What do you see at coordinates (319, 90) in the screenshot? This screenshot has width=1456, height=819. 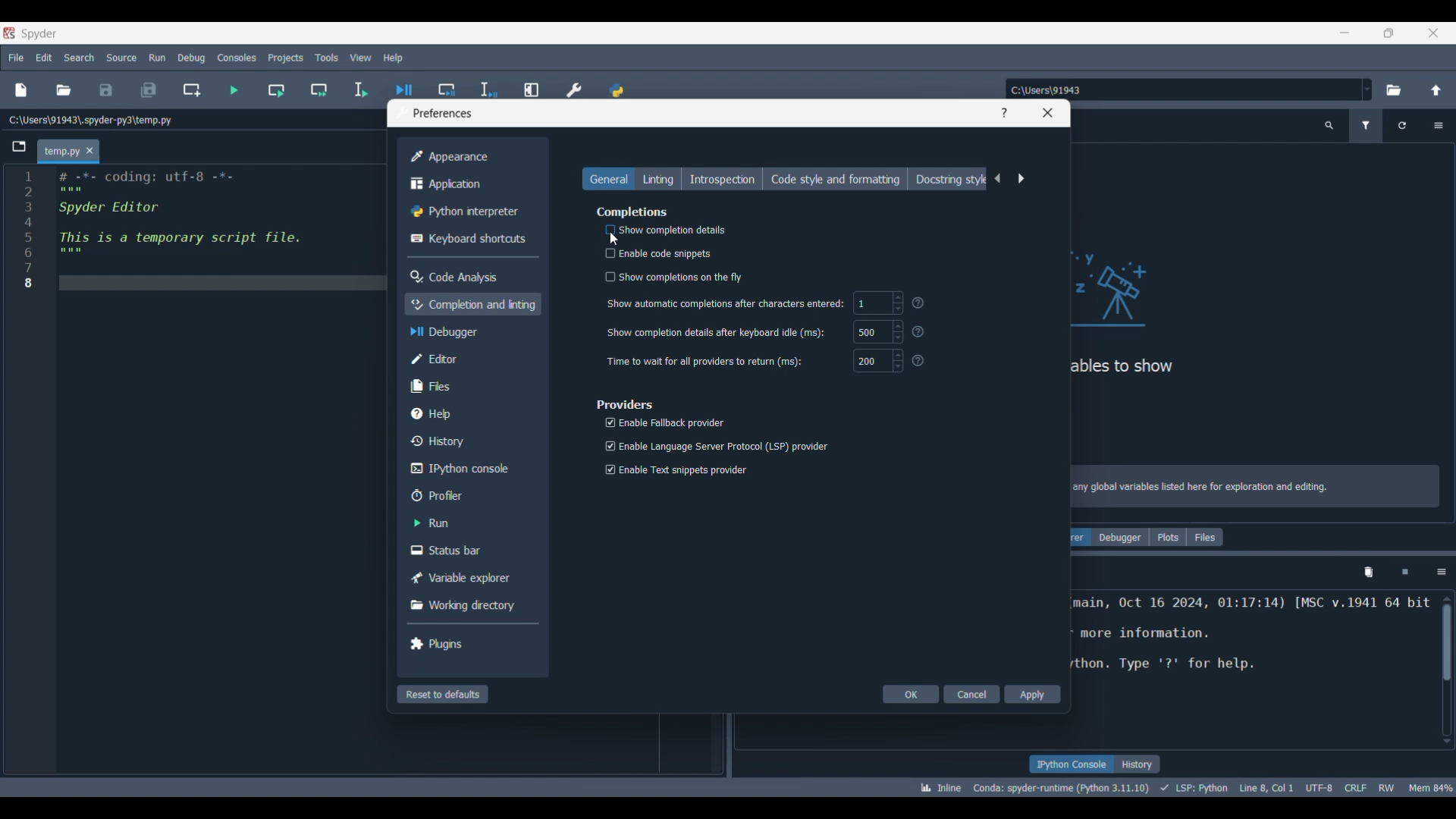 I see `Run current cell and go to next` at bounding box center [319, 90].